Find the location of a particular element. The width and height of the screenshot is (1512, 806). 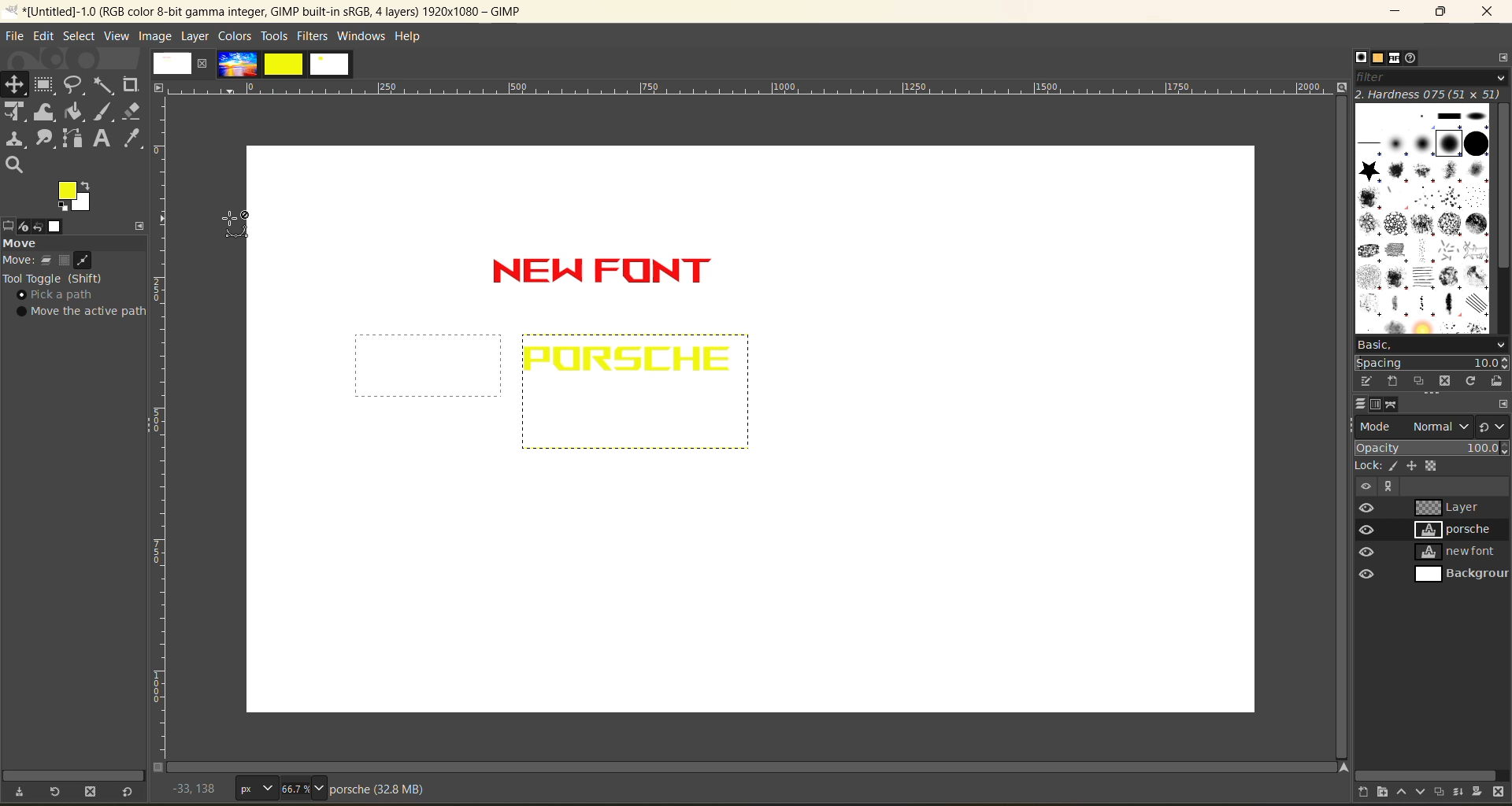

search tool is located at coordinates (18, 166).